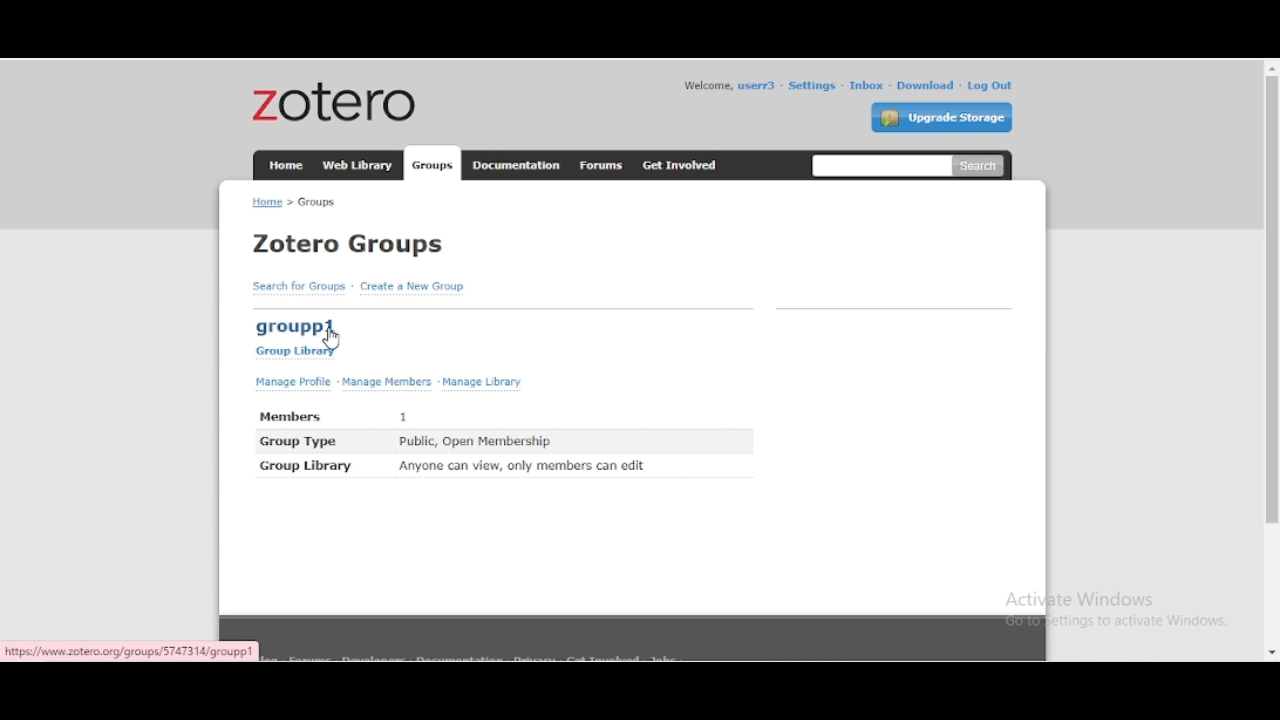  Describe the element at coordinates (387, 383) in the screenshot. I see `manage members` at that location.